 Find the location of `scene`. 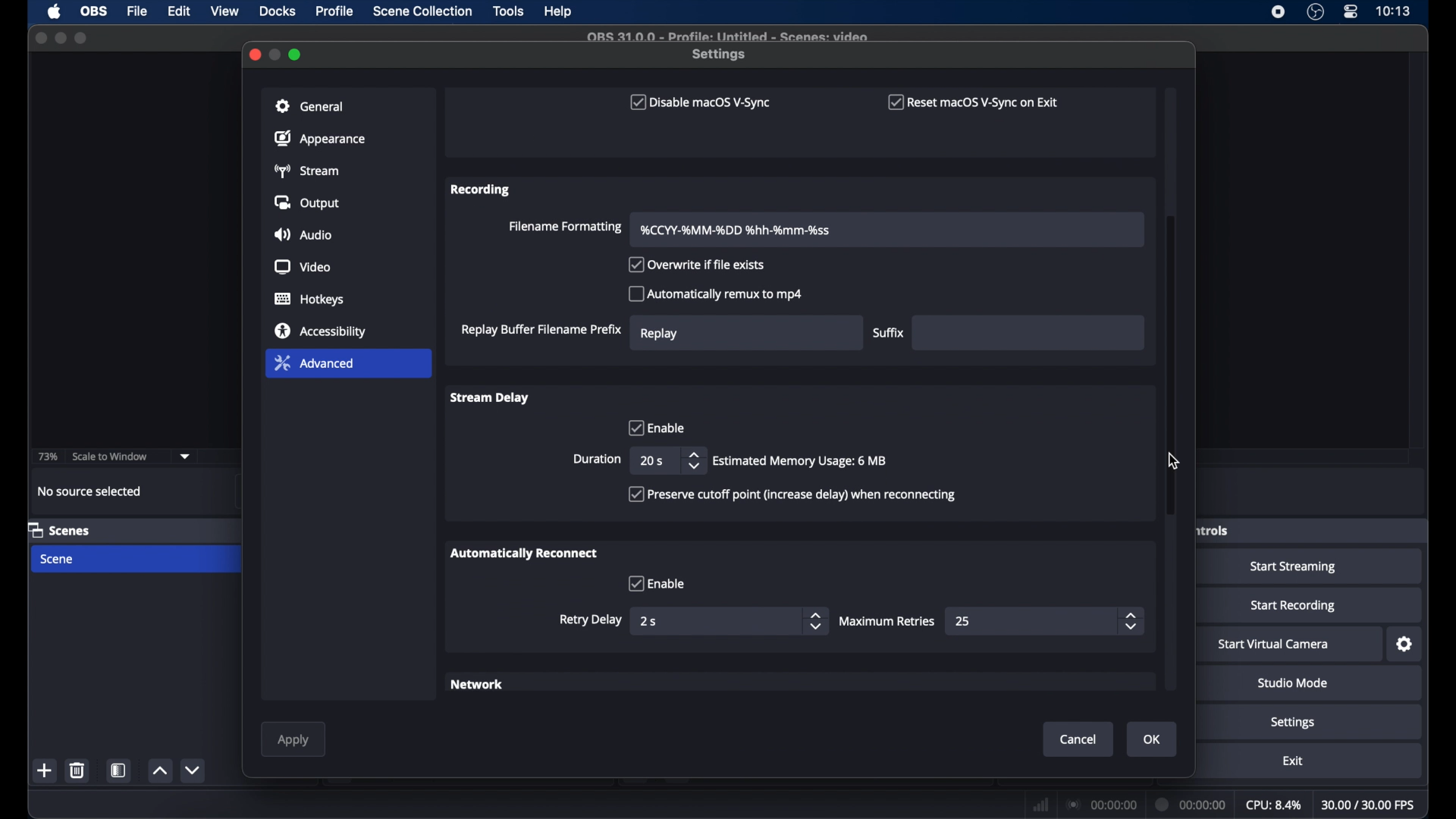

scene is located at coordinates (58, 560).